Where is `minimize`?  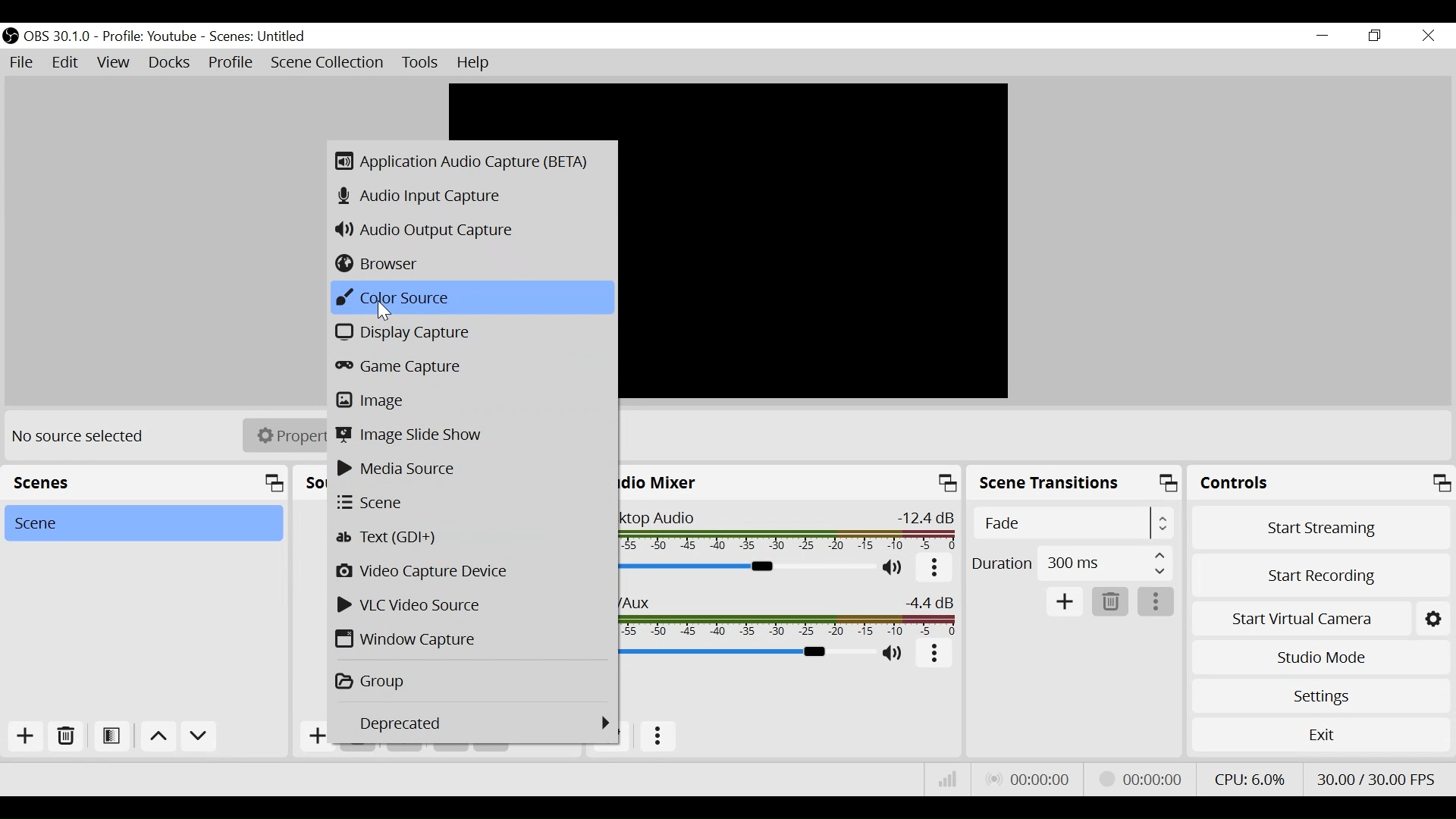
minimize is located at coordinates (1323, 35).